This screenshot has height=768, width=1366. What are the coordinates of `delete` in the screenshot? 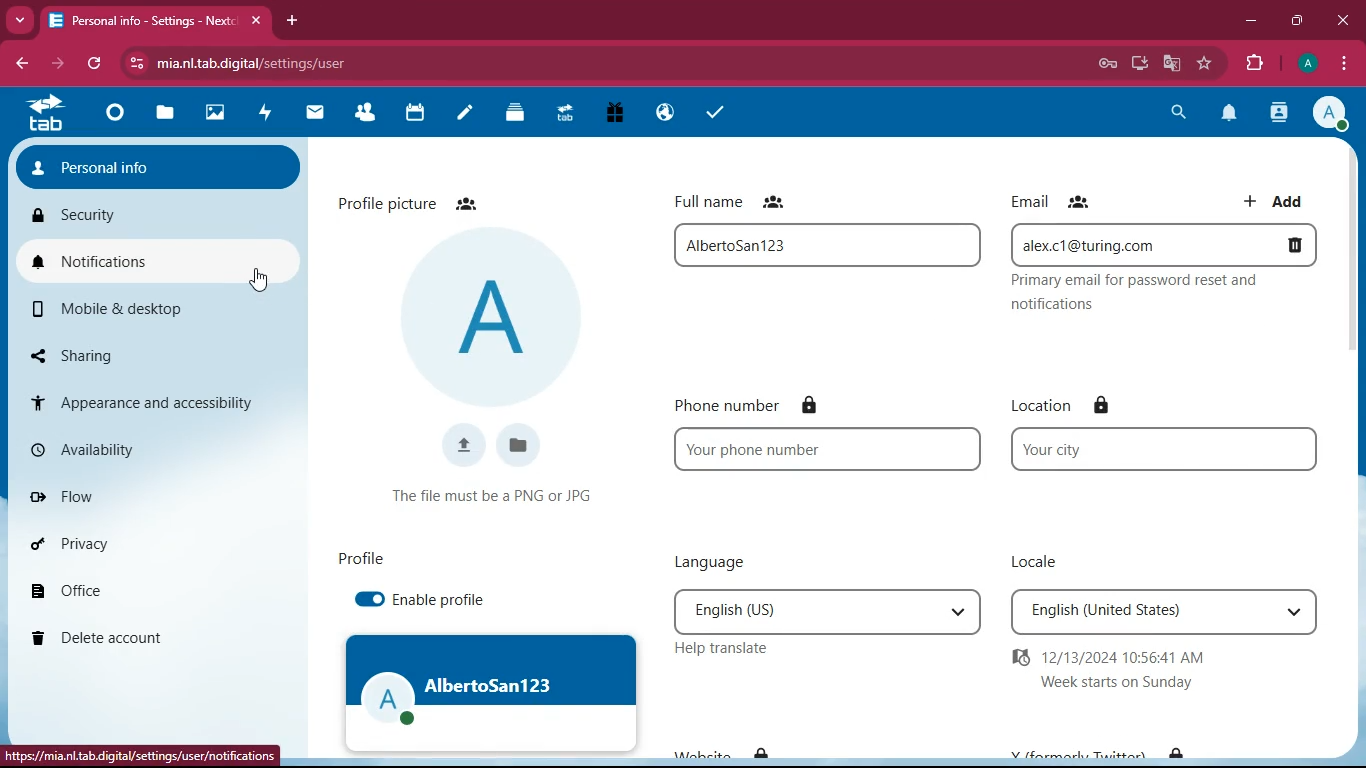 It's located at (1286, 244).